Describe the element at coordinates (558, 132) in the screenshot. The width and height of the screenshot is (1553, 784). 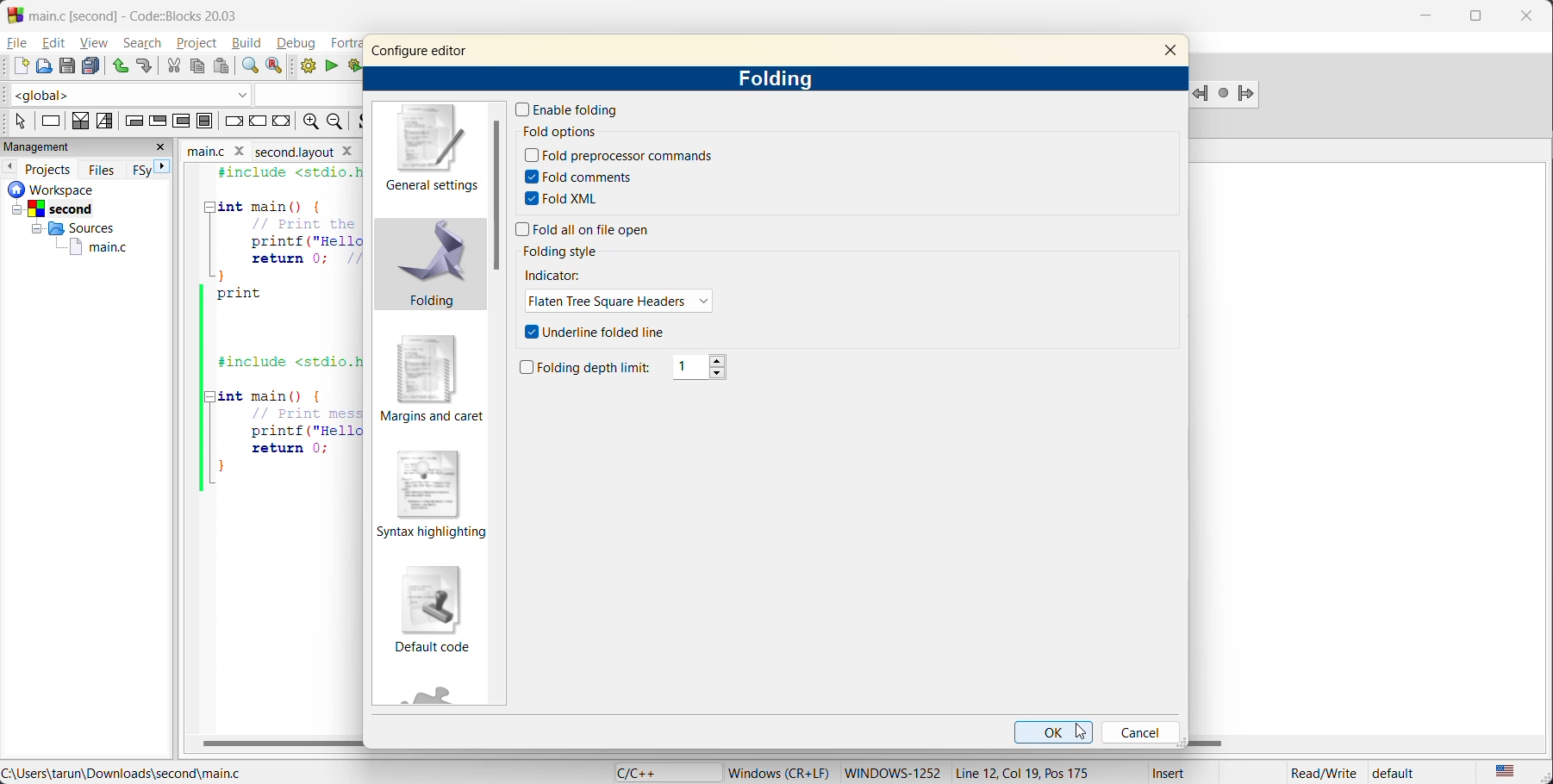
I see `fold options` at that location.